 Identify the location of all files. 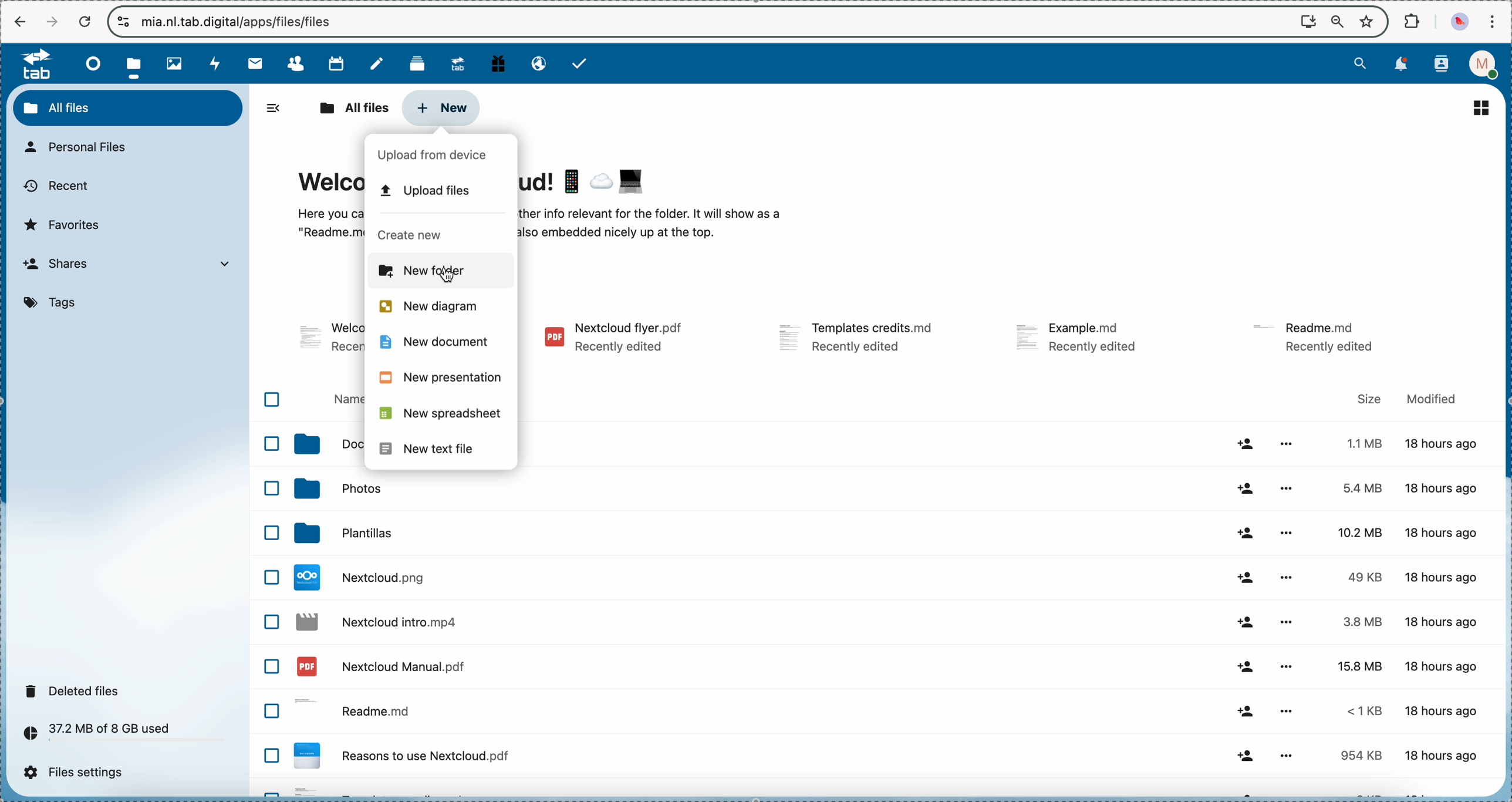
(352, 109).